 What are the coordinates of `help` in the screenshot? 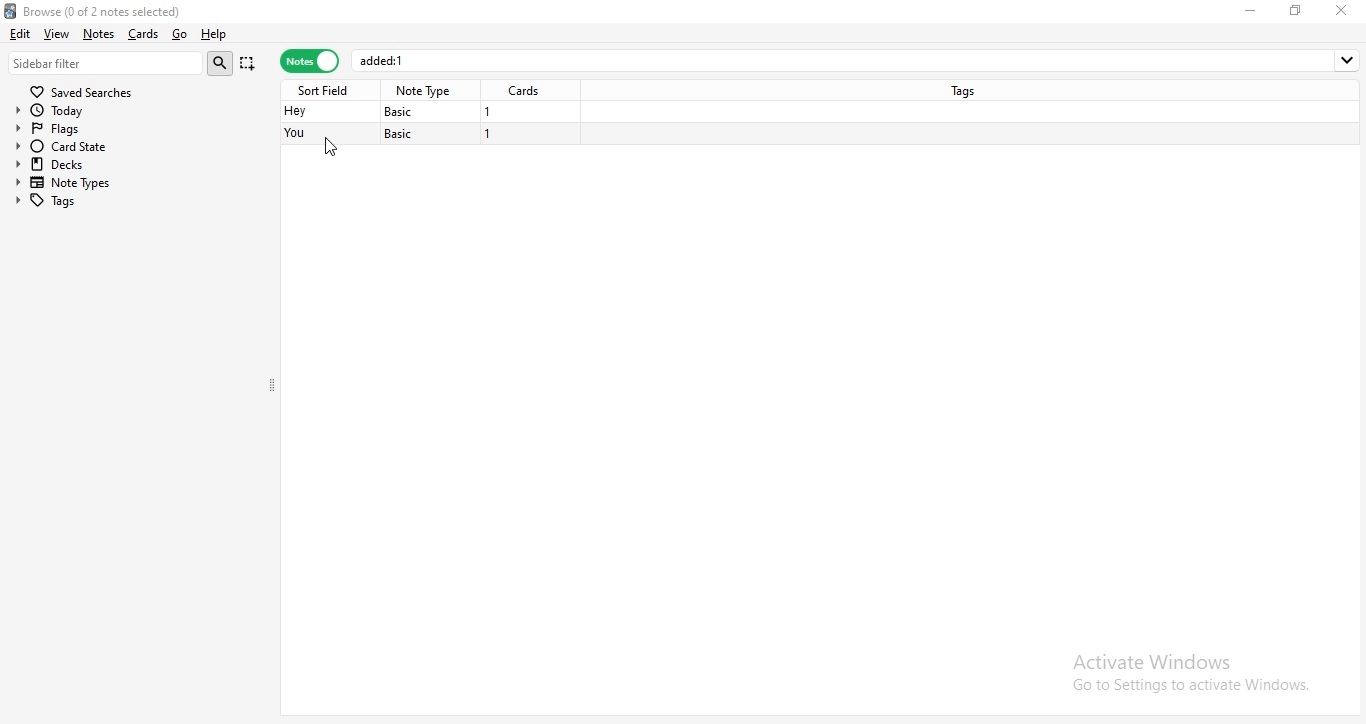 It's located at (214, 35).